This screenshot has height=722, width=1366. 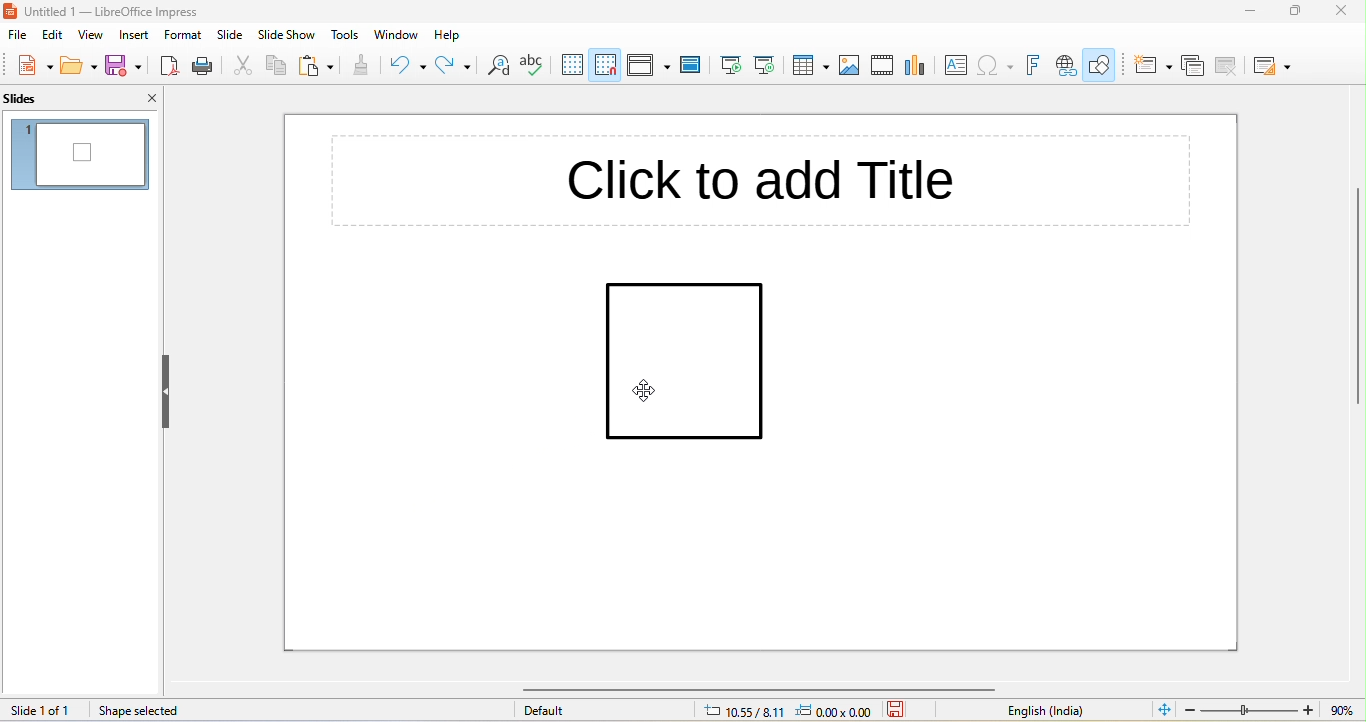 I want to click on cut, so click(x=242, y=64).